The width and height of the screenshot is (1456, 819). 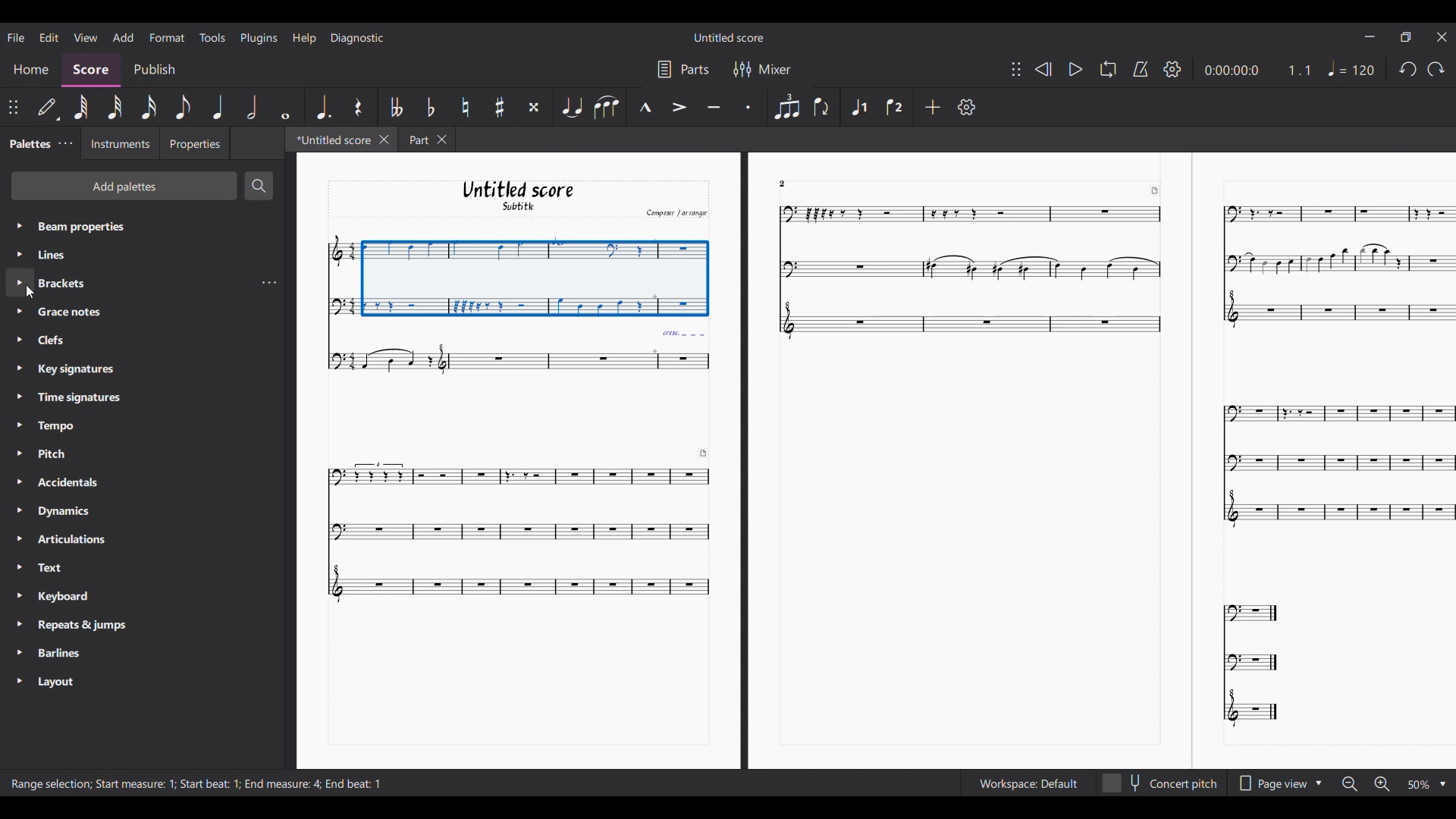 What do you see at coordinates (16, 485) in the screenshot?
I see `` at bounding box center [16, 485].